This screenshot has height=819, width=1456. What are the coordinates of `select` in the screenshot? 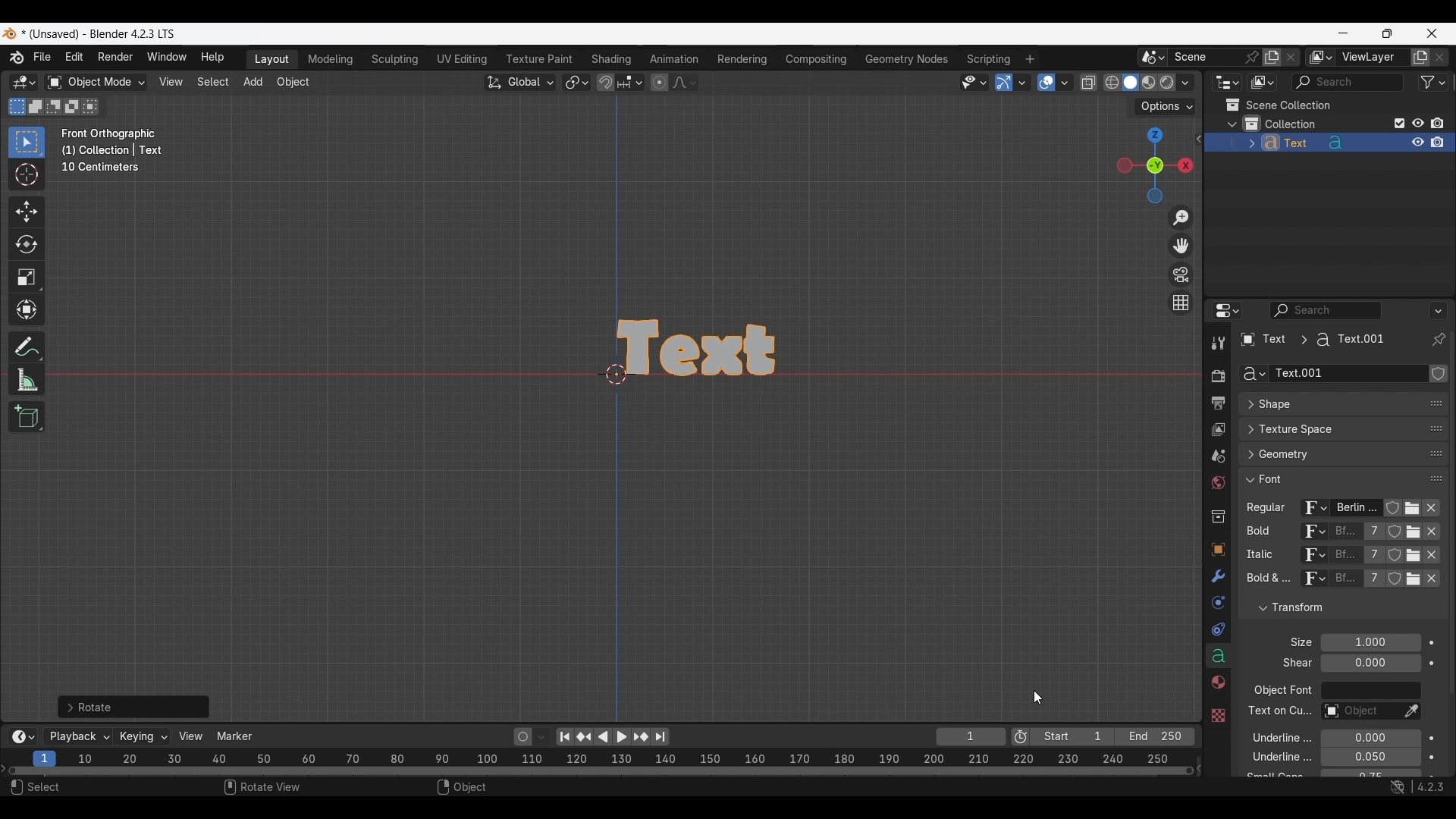 It's located at (93, 106).